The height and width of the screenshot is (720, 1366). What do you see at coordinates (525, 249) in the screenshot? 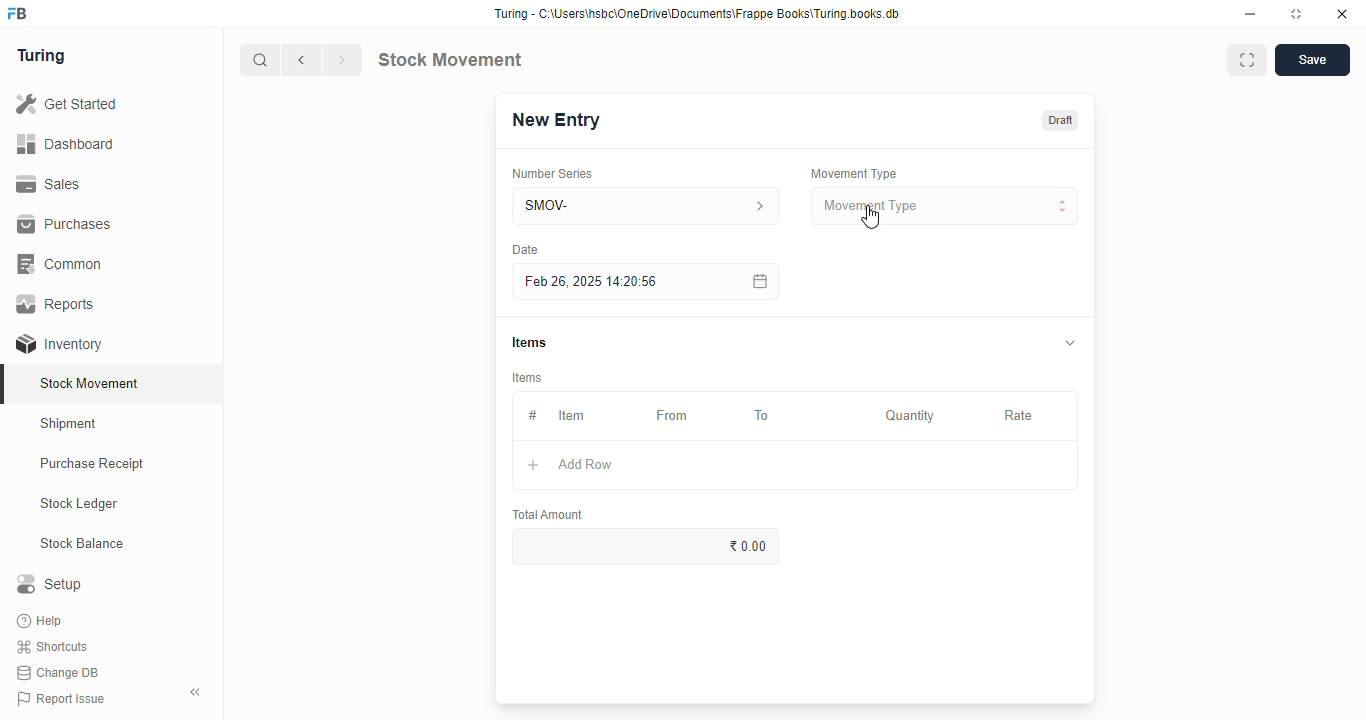
I see `Date` at bounding box center [525, 249].